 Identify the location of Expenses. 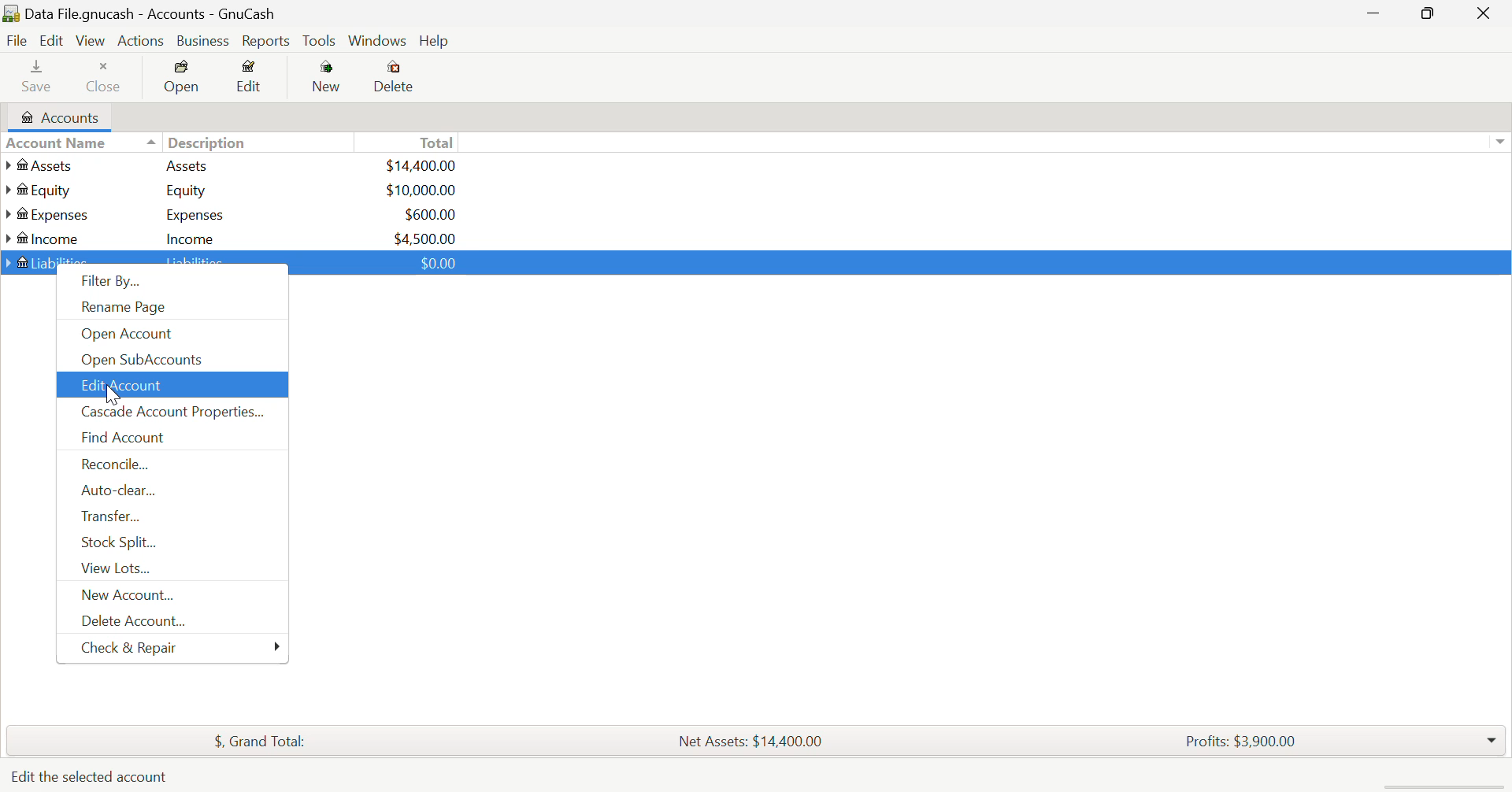
(195, 214).